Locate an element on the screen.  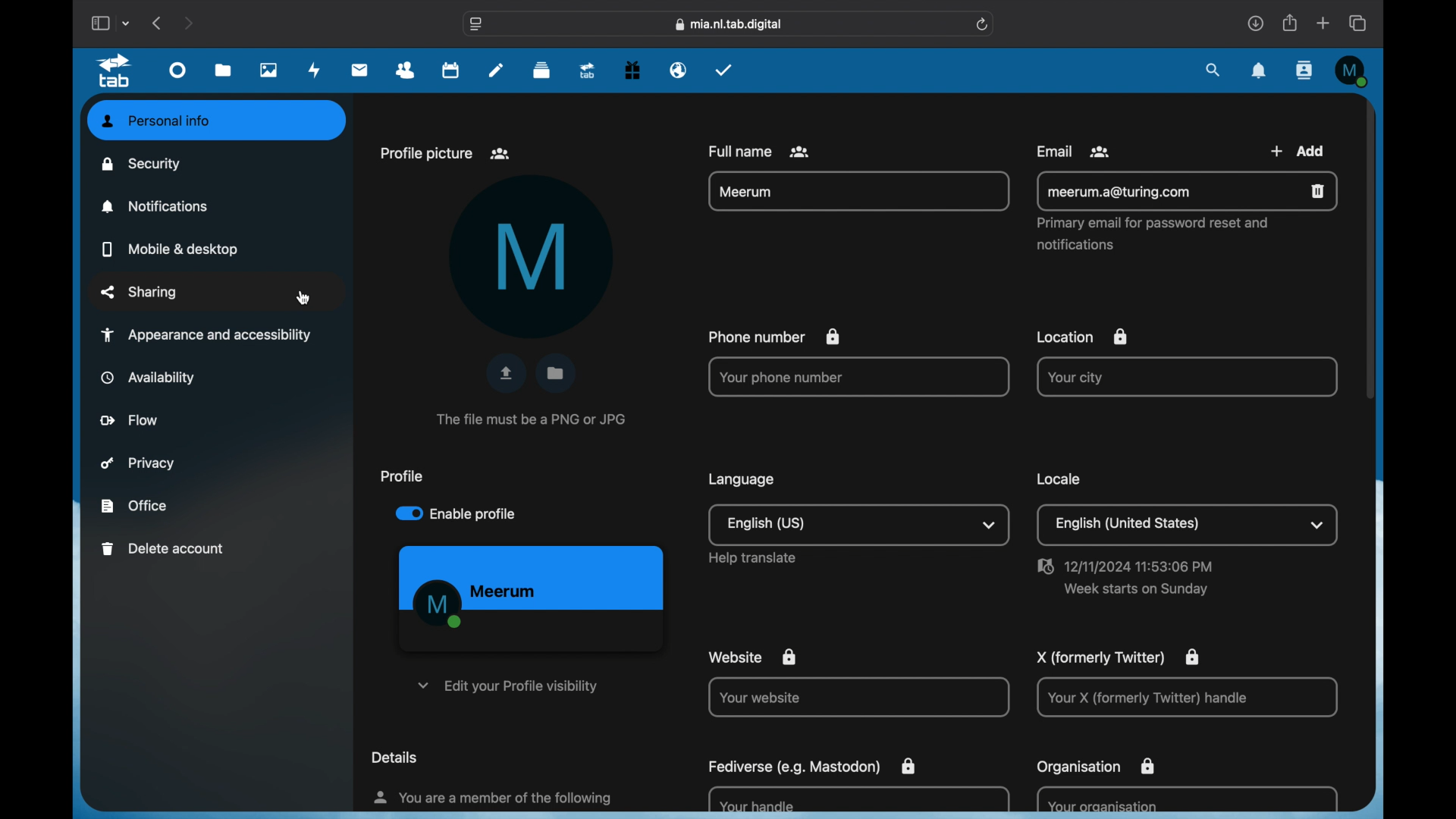
upgrade is located at coordinates (588, 71).